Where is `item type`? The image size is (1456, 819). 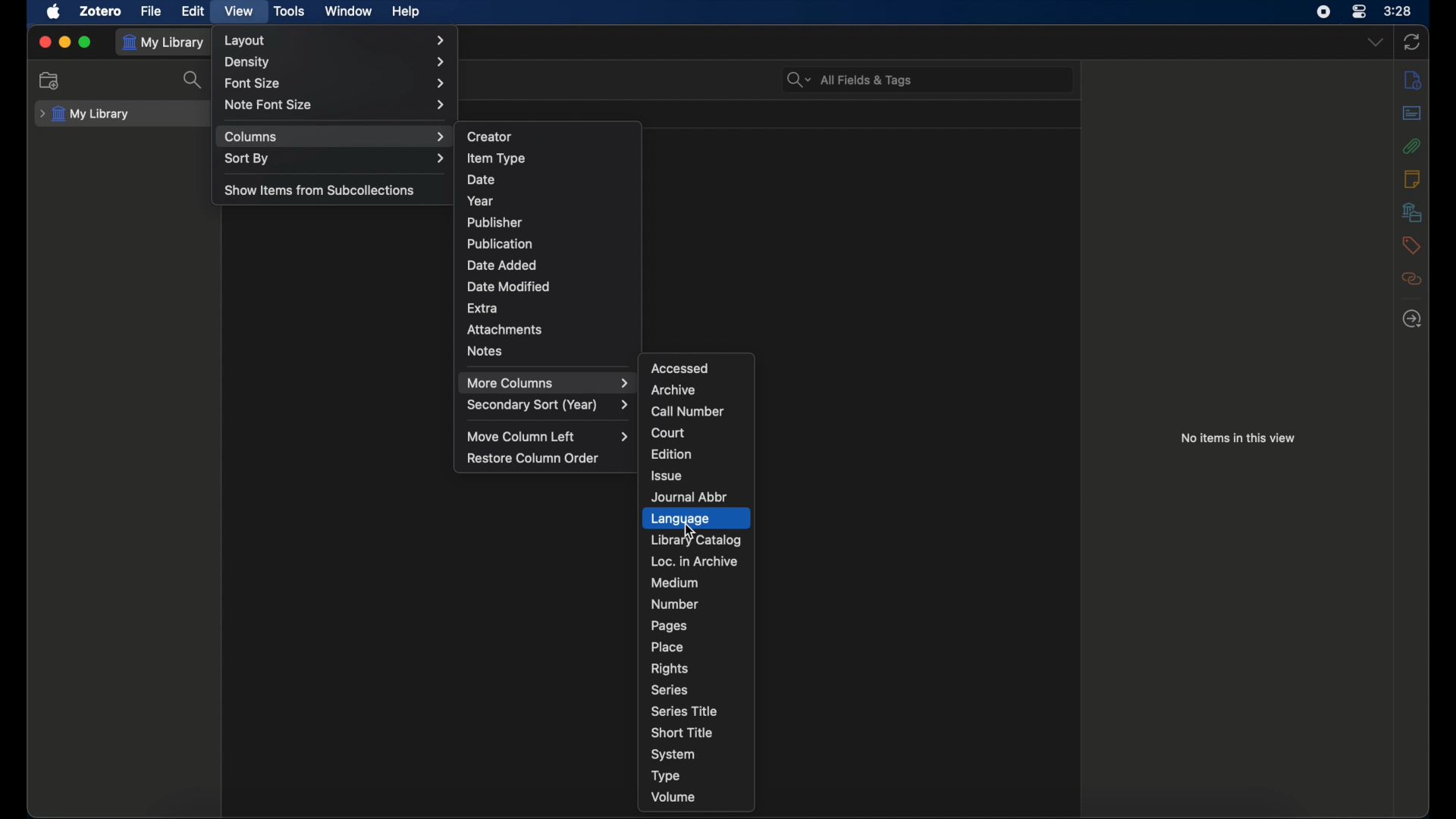 item type is located at coordinates (496, 159).